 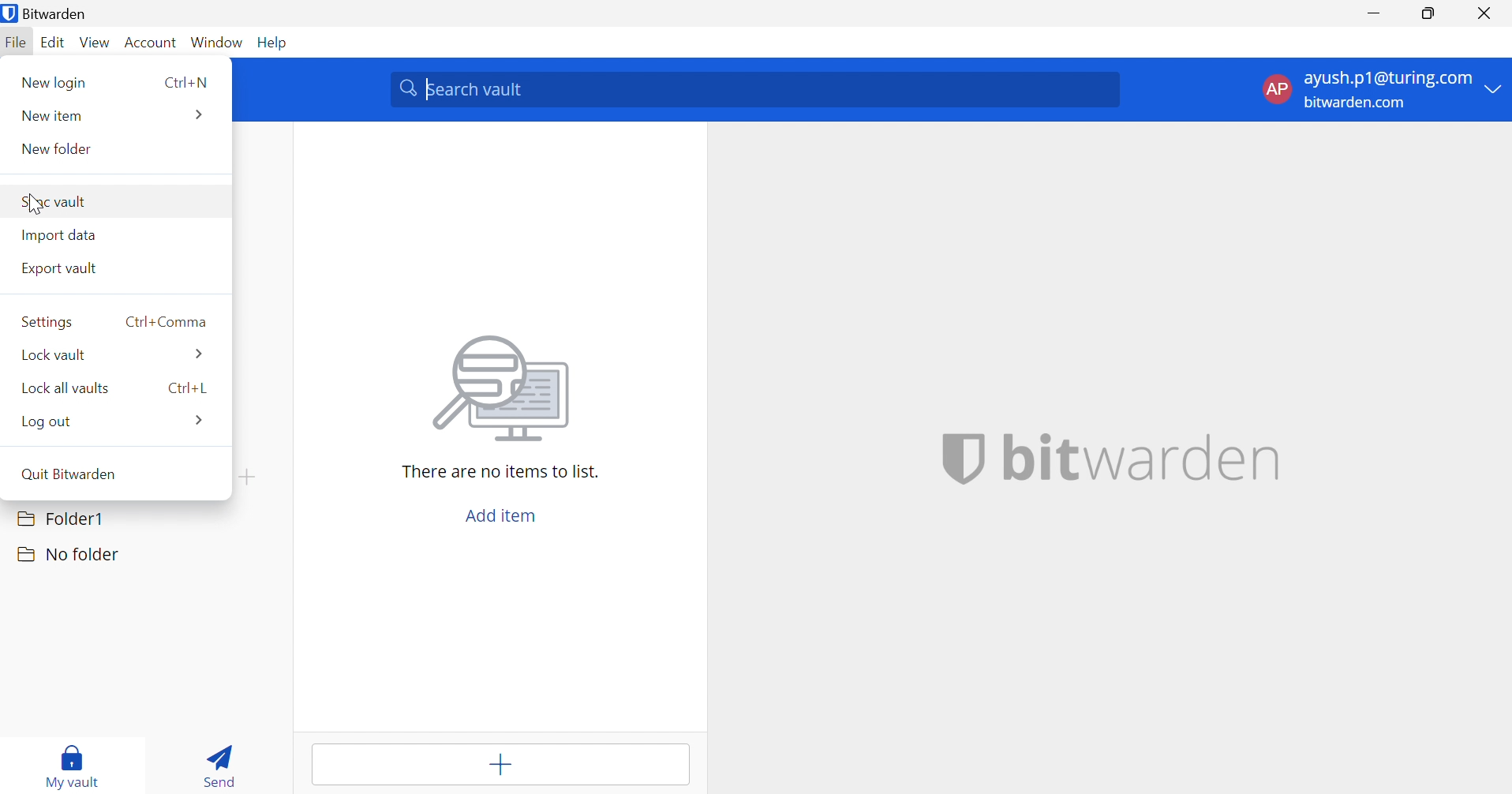 What do you see at coordinates (964, 460) in the screenshot?
I see `bitwarden logo` at bounding box center [964, 460].